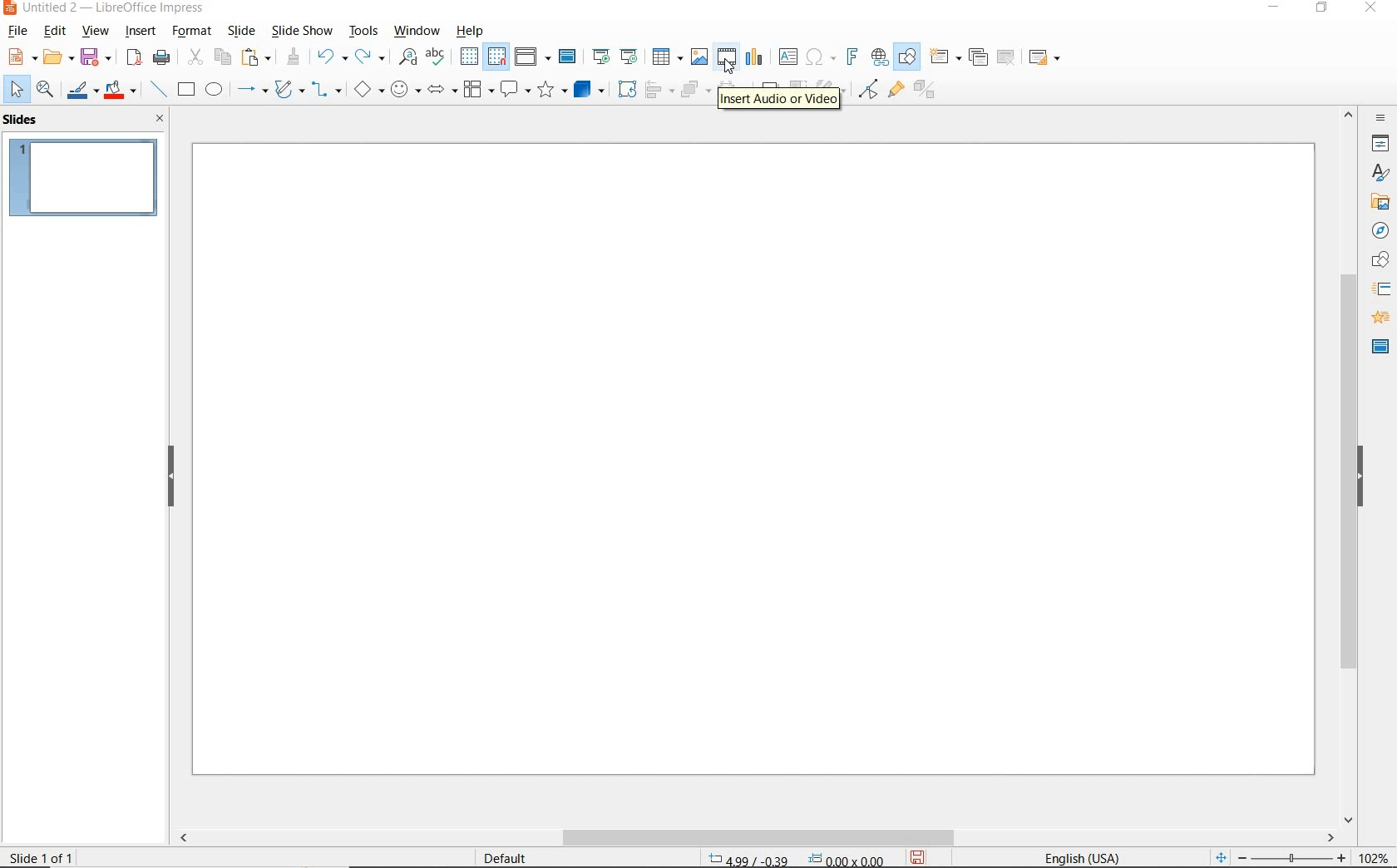 This screenshot has width=1397, height=868. I want to click on SLIDE LAYOUT, so click(1044, 57).